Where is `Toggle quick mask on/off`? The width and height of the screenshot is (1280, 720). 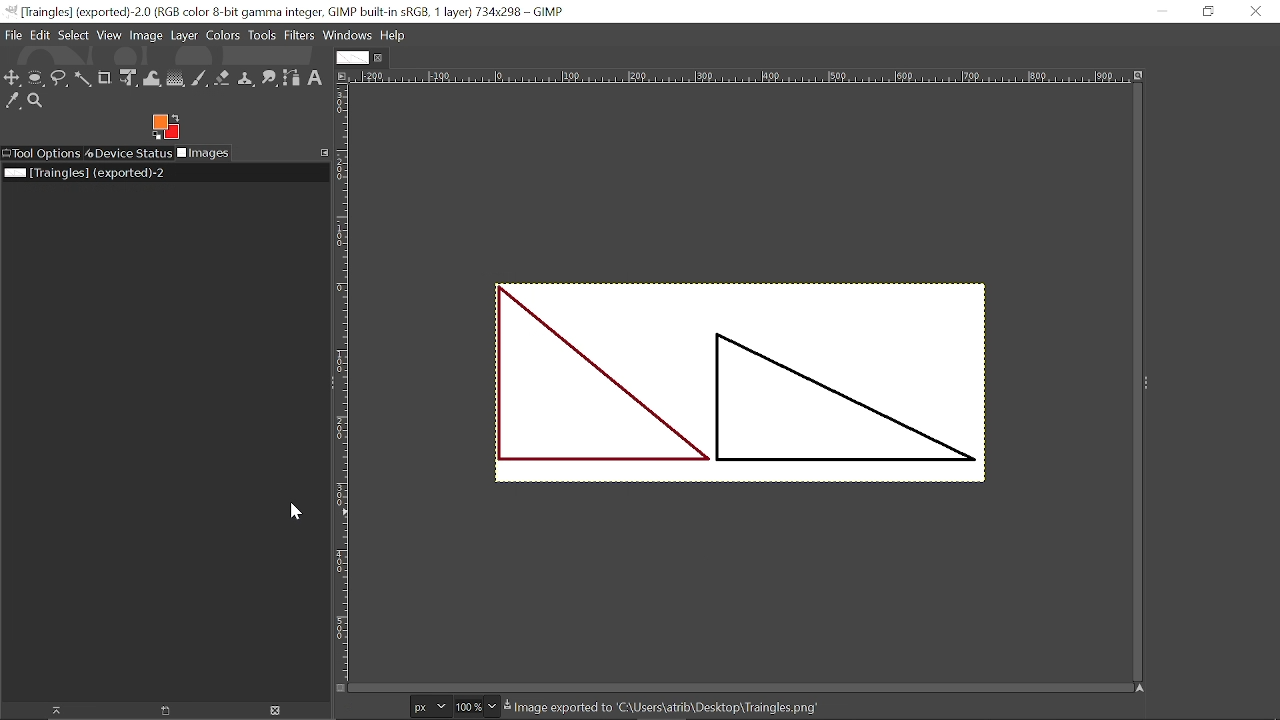 Toggle quick mask on/off is located at coordinates (342, 688).